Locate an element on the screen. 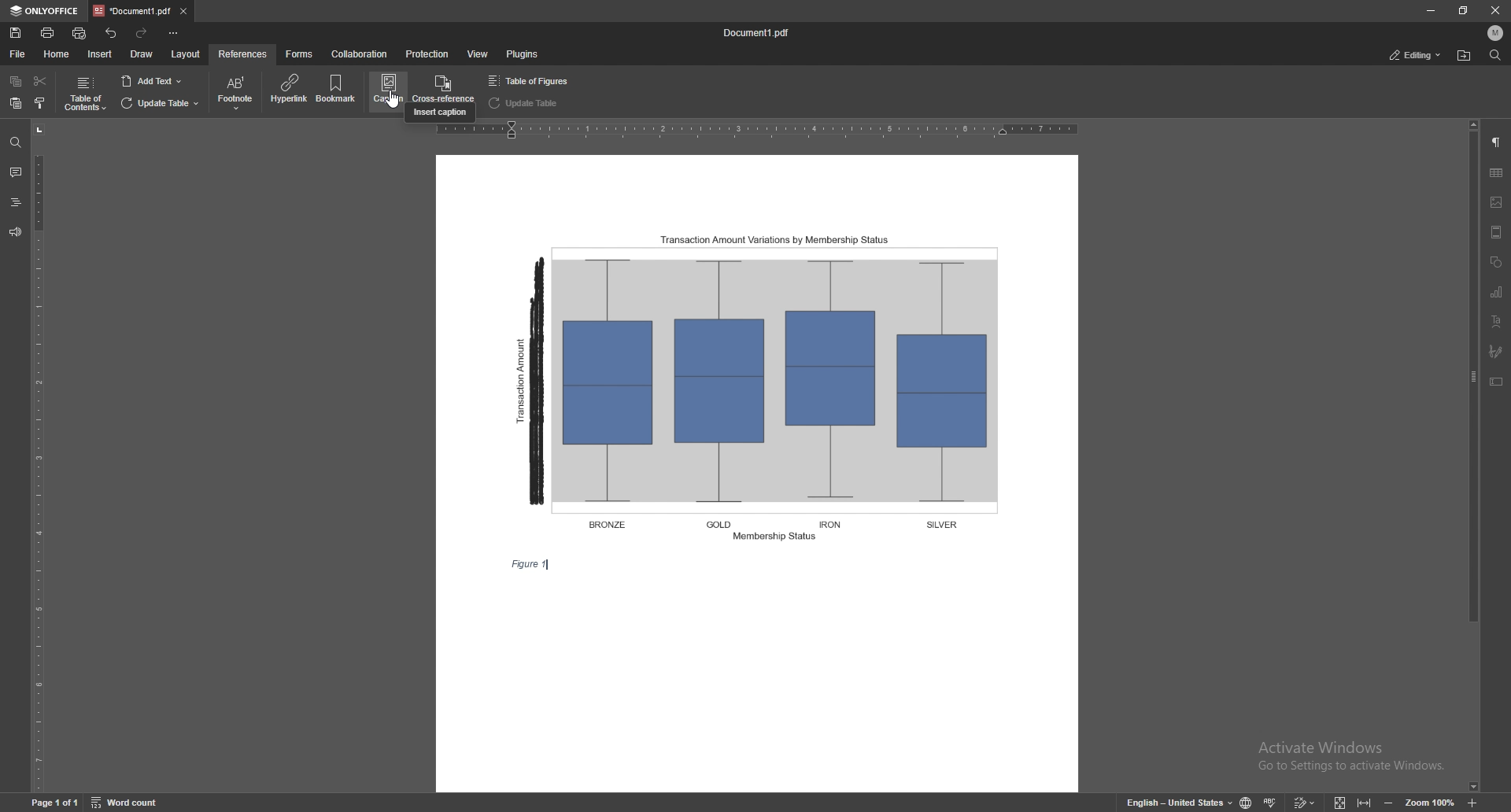 The height and width of the screenshot is (812, 1511). text box is located at coordinates (1497, 381).